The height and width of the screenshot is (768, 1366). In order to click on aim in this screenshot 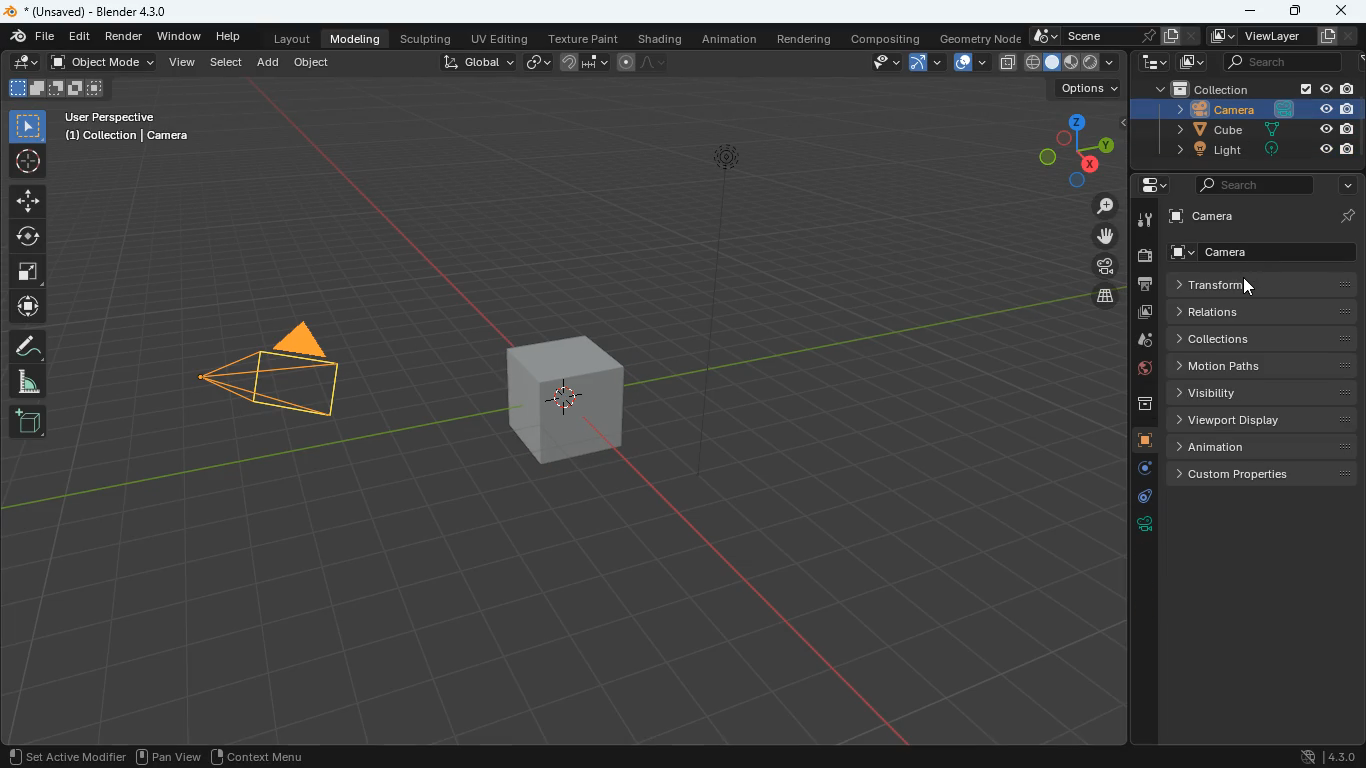, I will do `click(32, 161)`.